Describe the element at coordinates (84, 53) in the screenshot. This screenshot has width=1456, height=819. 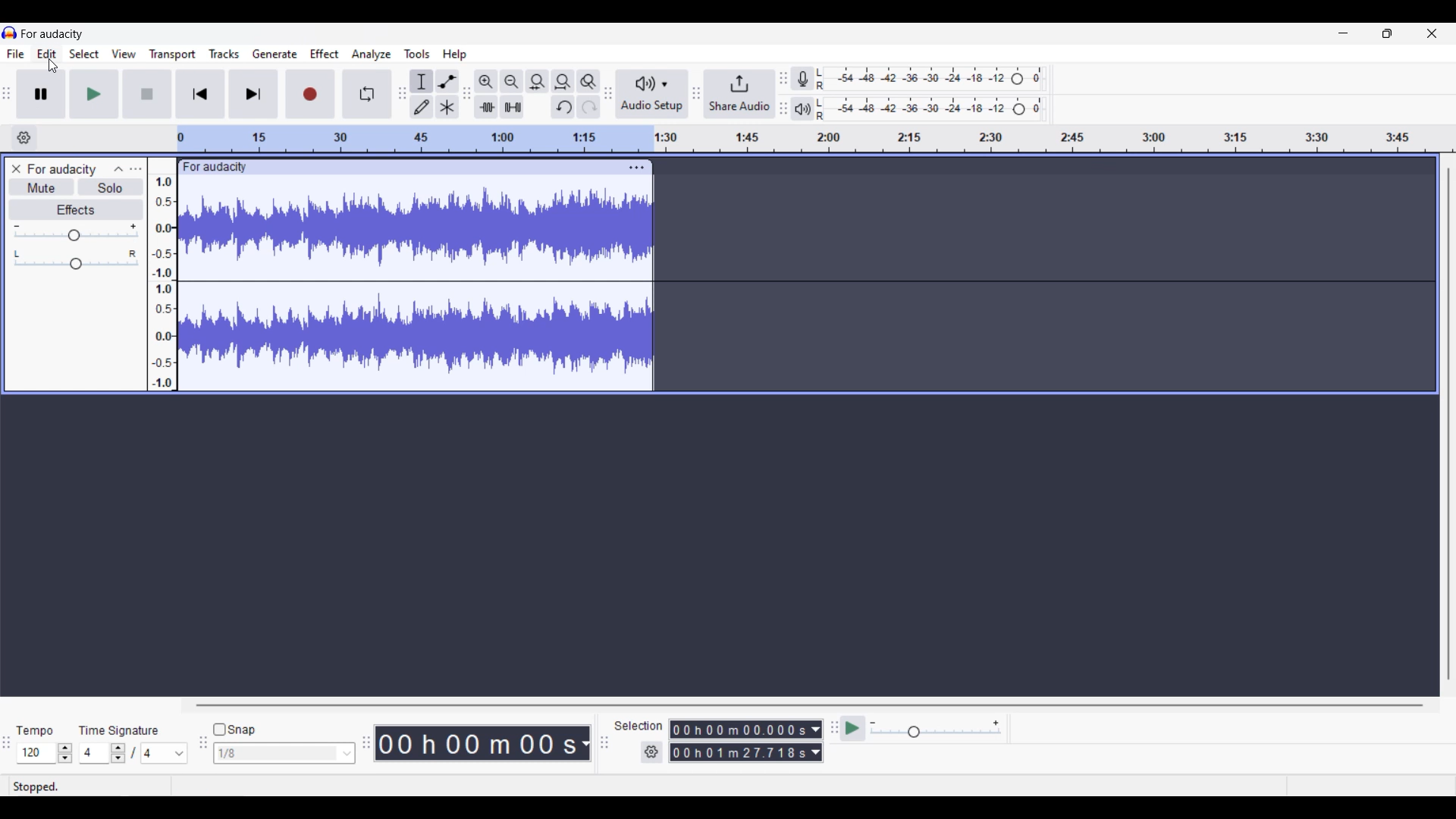
I see `Select menu` at that location.